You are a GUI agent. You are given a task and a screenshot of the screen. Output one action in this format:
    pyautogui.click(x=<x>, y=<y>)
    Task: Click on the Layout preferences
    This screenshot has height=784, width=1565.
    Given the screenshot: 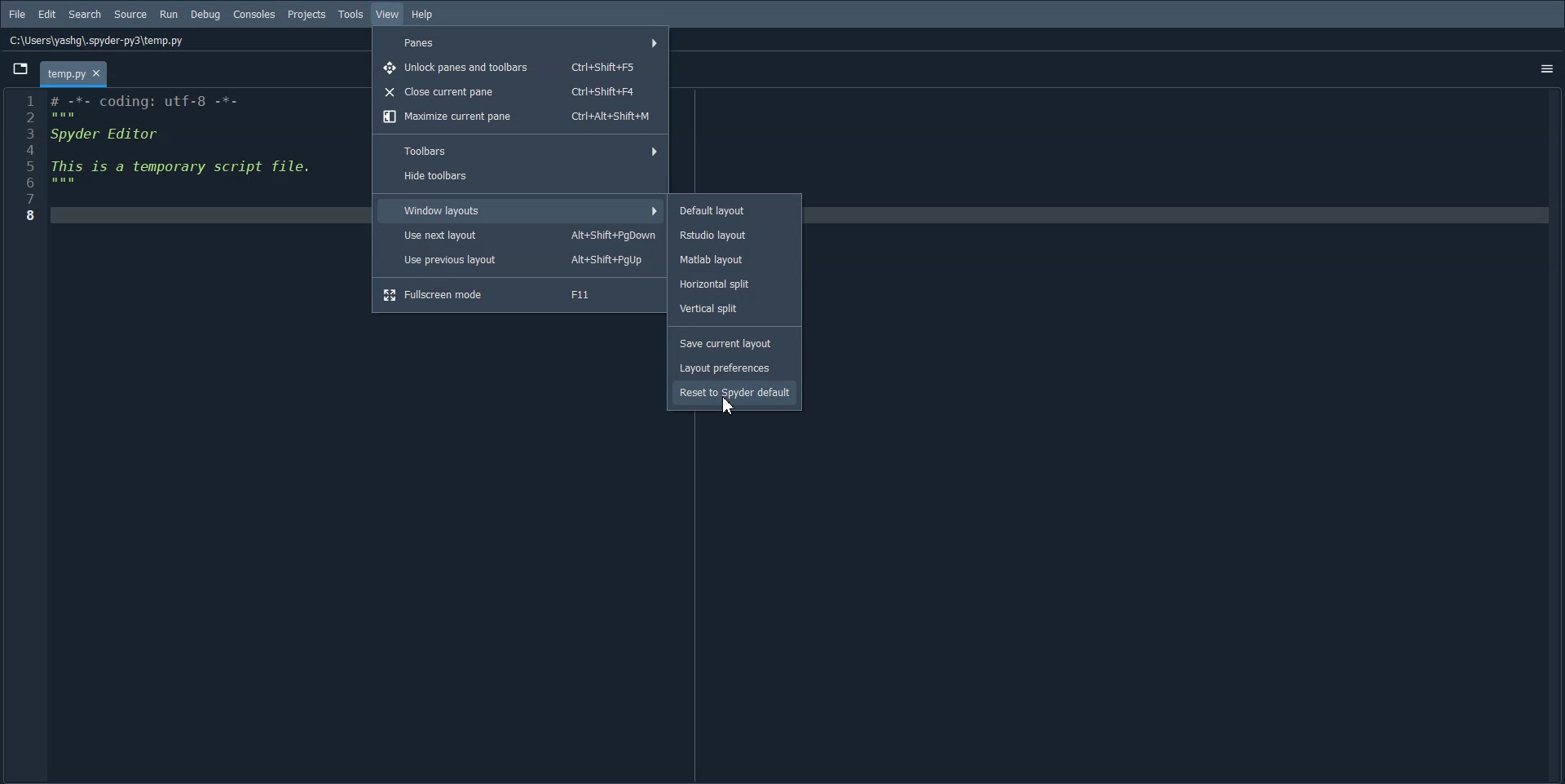 What is the action you would take?
    pyautogui.click(x=732, y=368)
    